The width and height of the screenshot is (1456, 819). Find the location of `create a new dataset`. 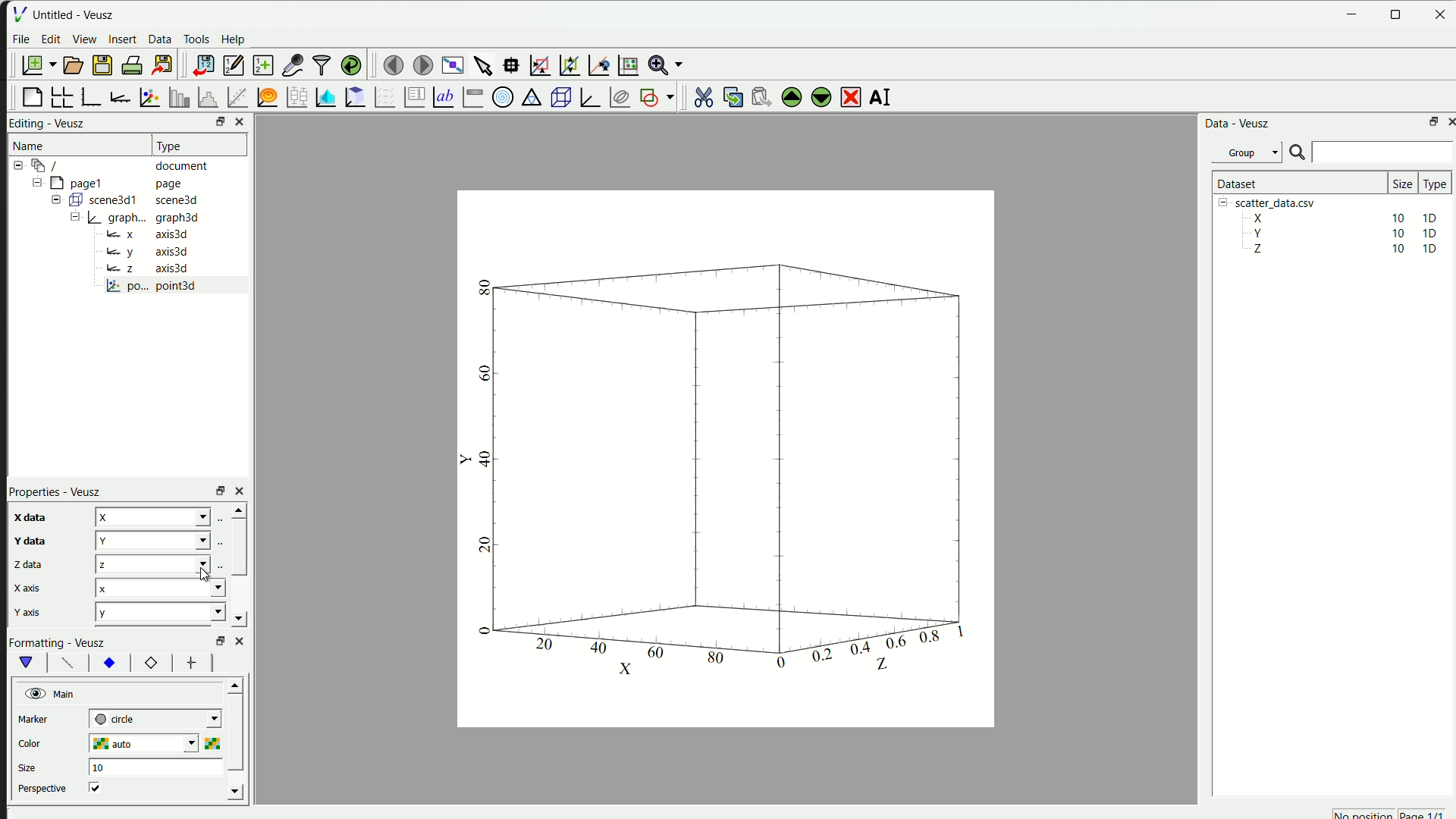

create a new dataset is located at coordinates (262, 64).